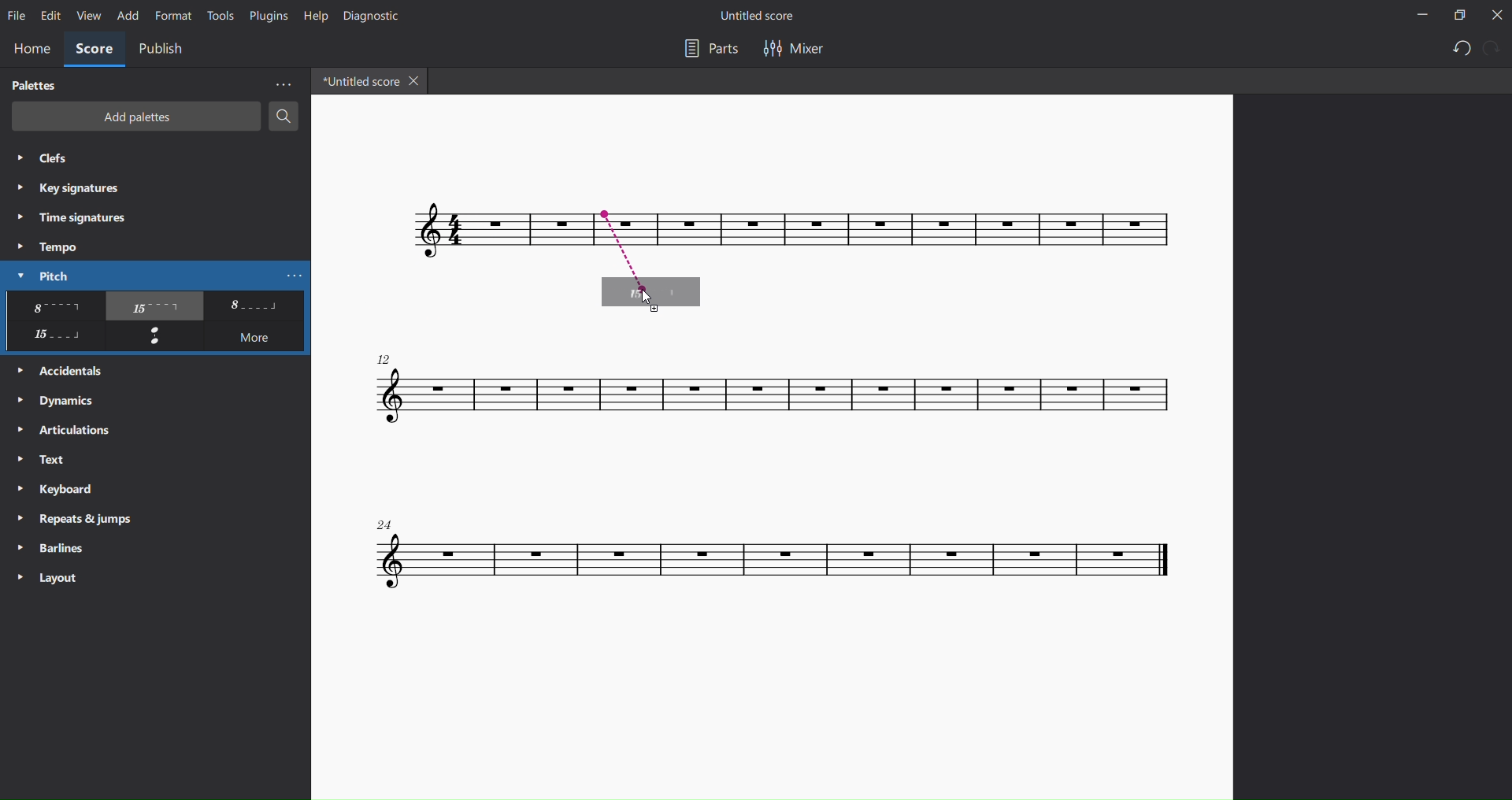 Image resolution: width=1512 pixels, height=800 pixels. Describe the element at coordinates (1455, 15) in the screenshot. I see `maximize` at that location.